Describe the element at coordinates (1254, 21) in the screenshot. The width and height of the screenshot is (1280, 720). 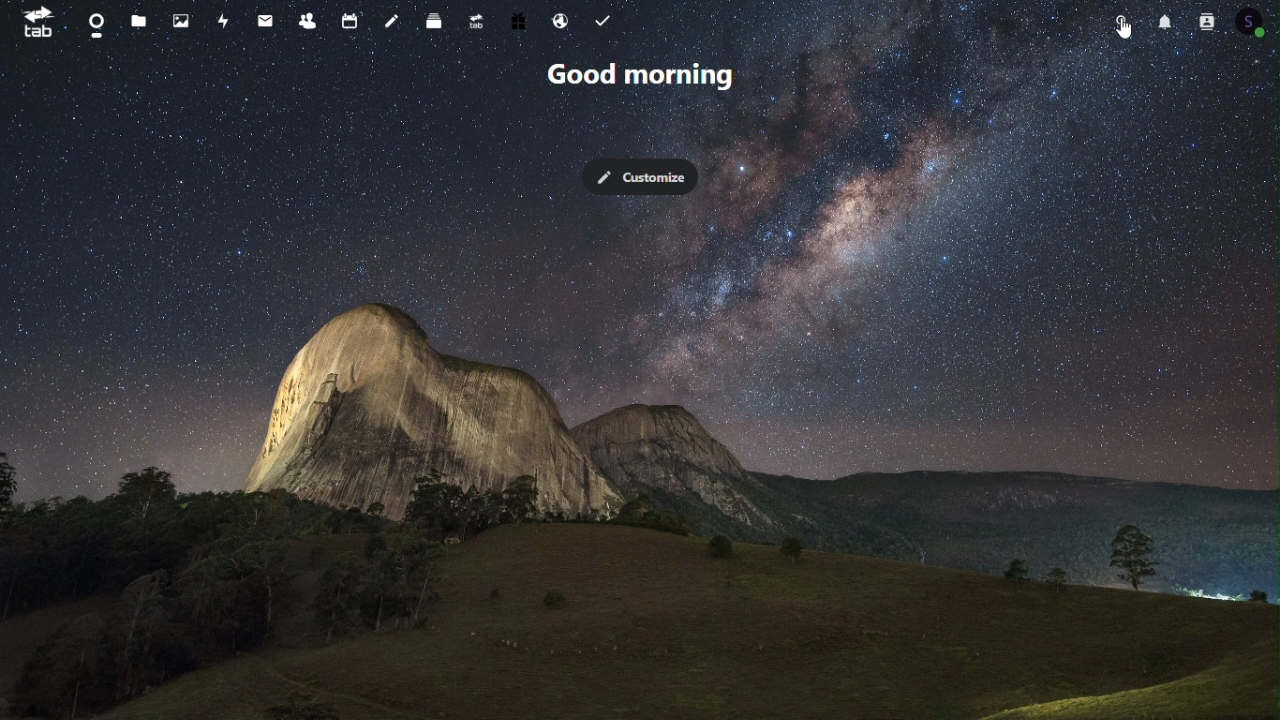
I see `Account icon ` at that location.